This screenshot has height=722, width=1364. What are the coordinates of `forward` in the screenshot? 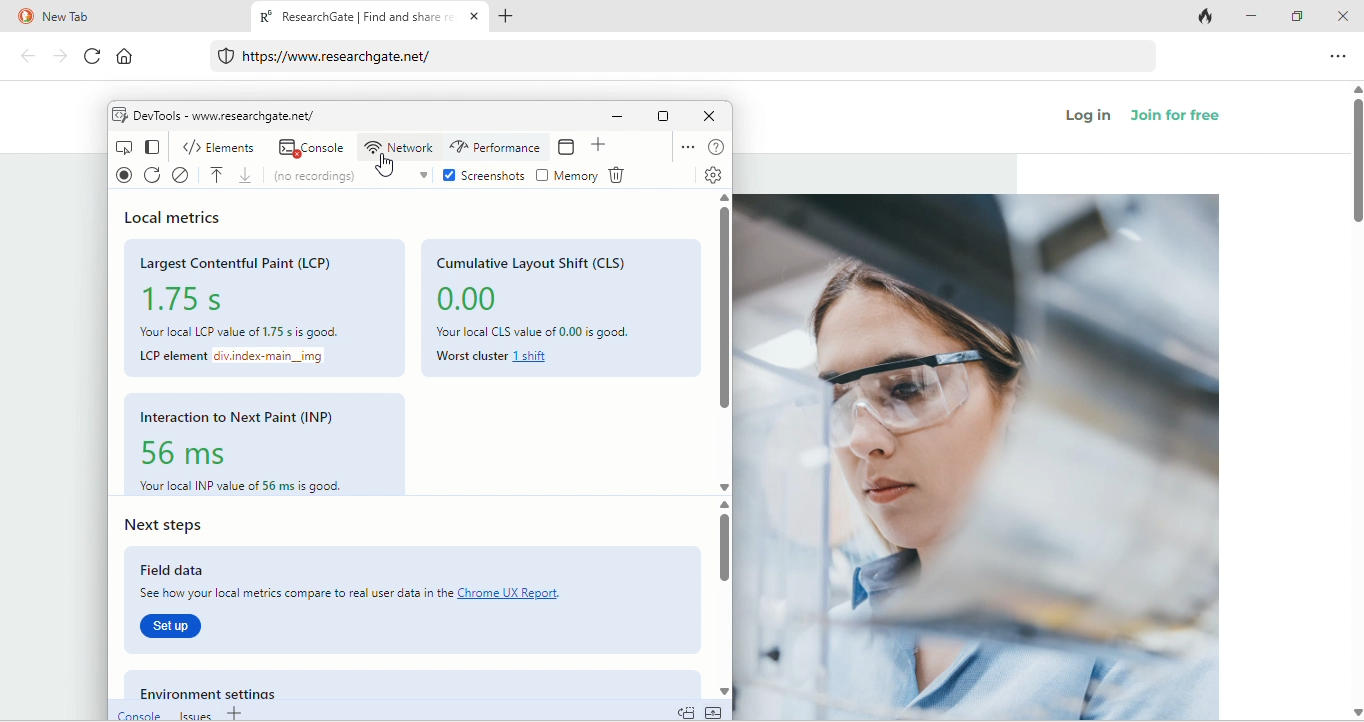 It's located at (58, 56).